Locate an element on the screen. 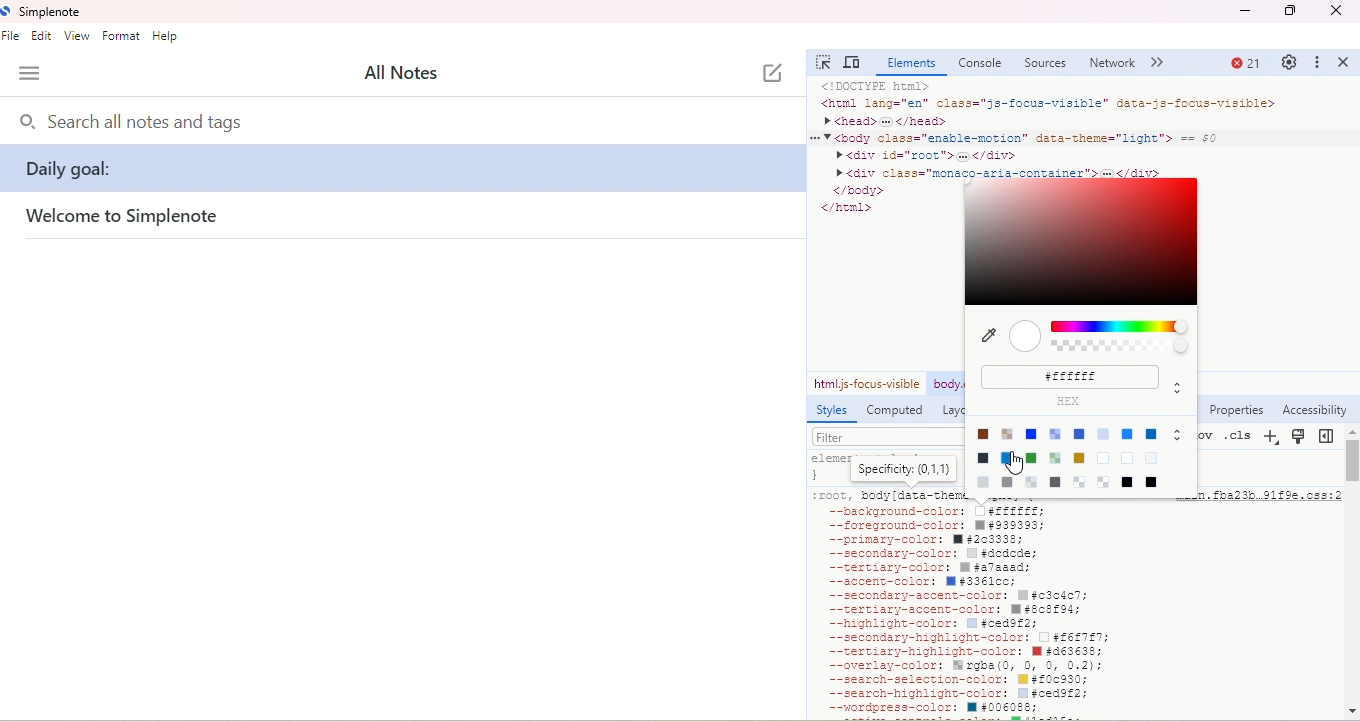  tertiary-accent-color is located at coordinates (950, 610).